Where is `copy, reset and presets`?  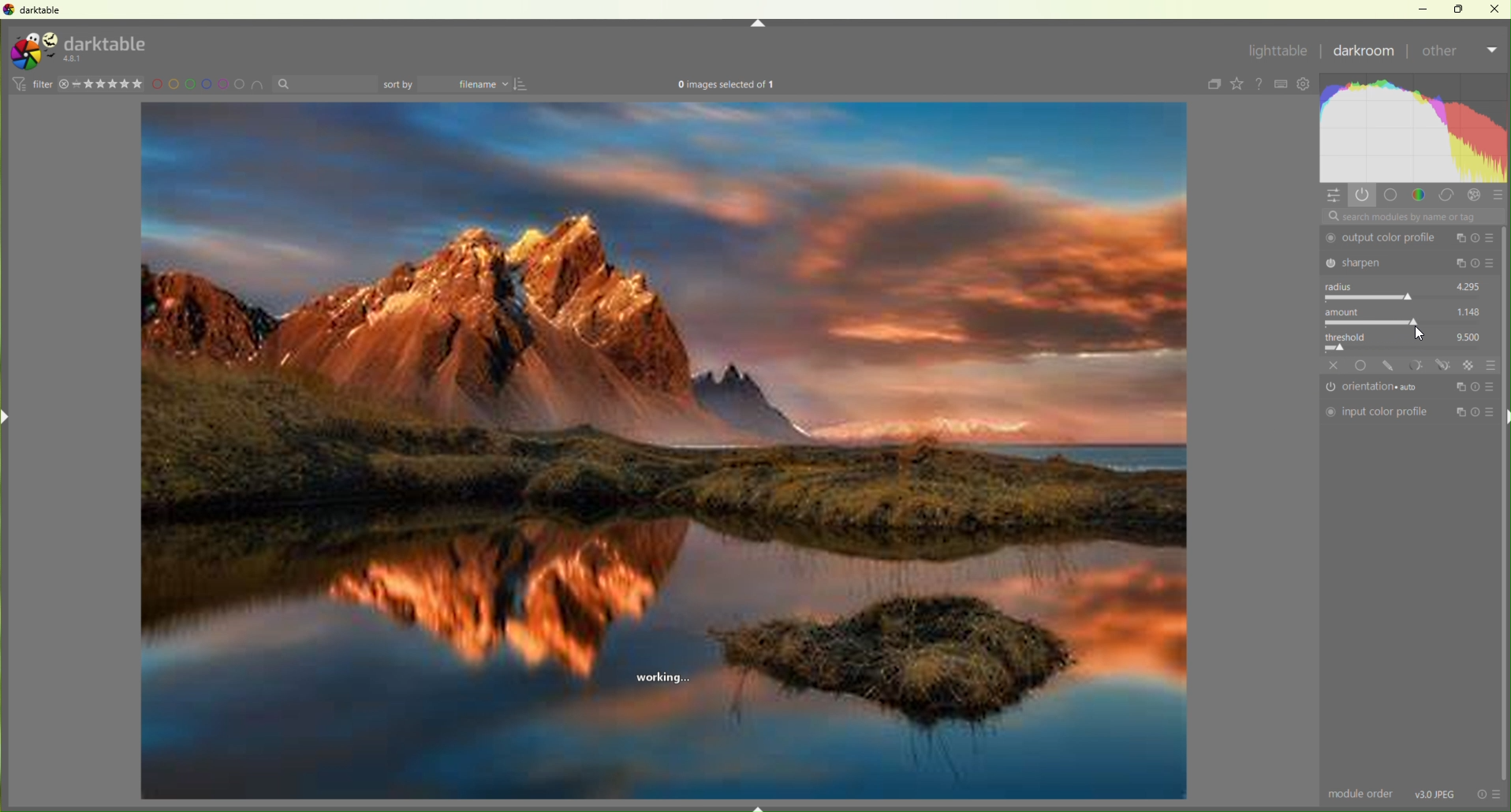
copy, reset and presets is located at coordinates (1476, 386).